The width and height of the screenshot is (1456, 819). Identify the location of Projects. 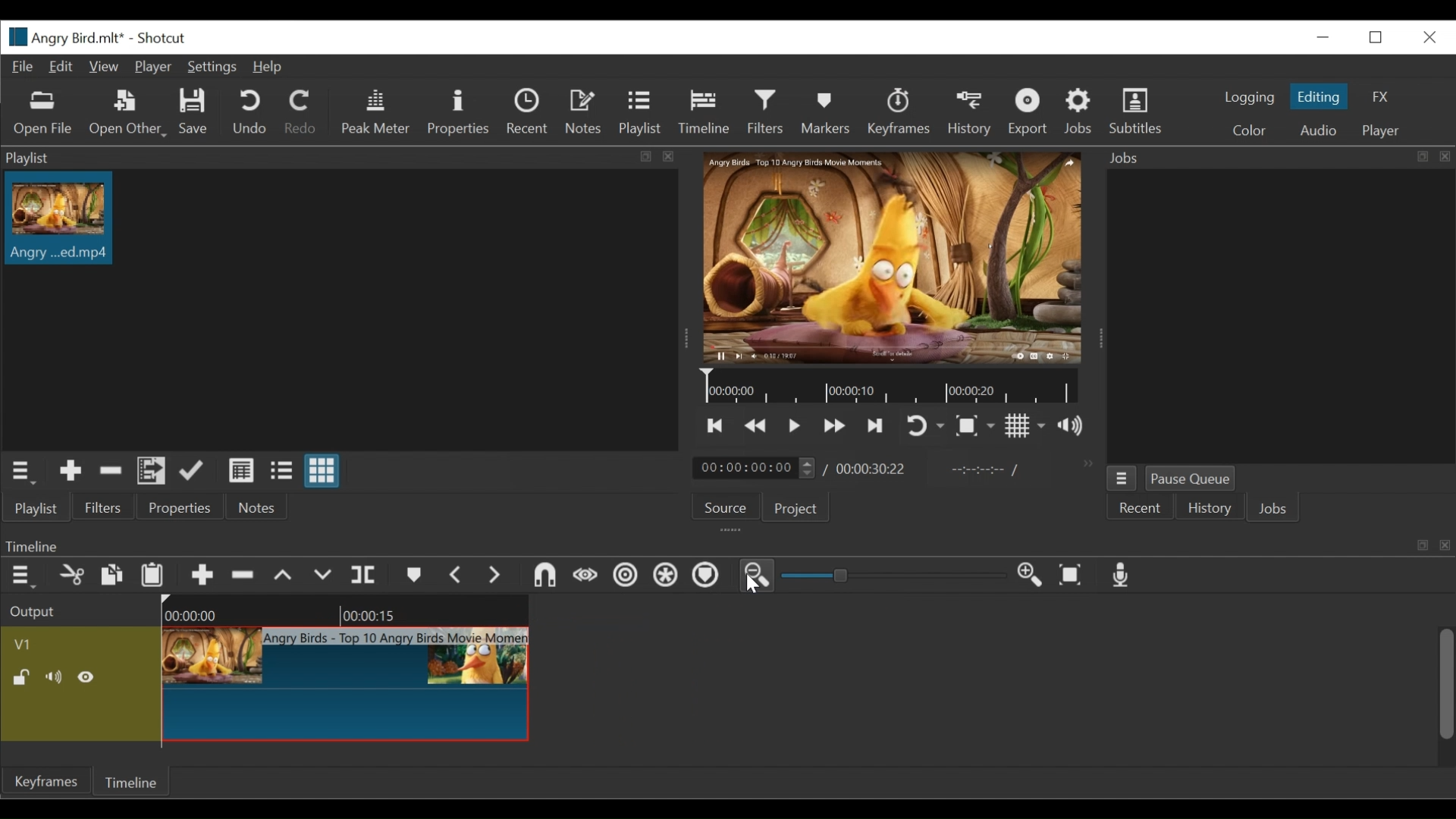
(797, 507).